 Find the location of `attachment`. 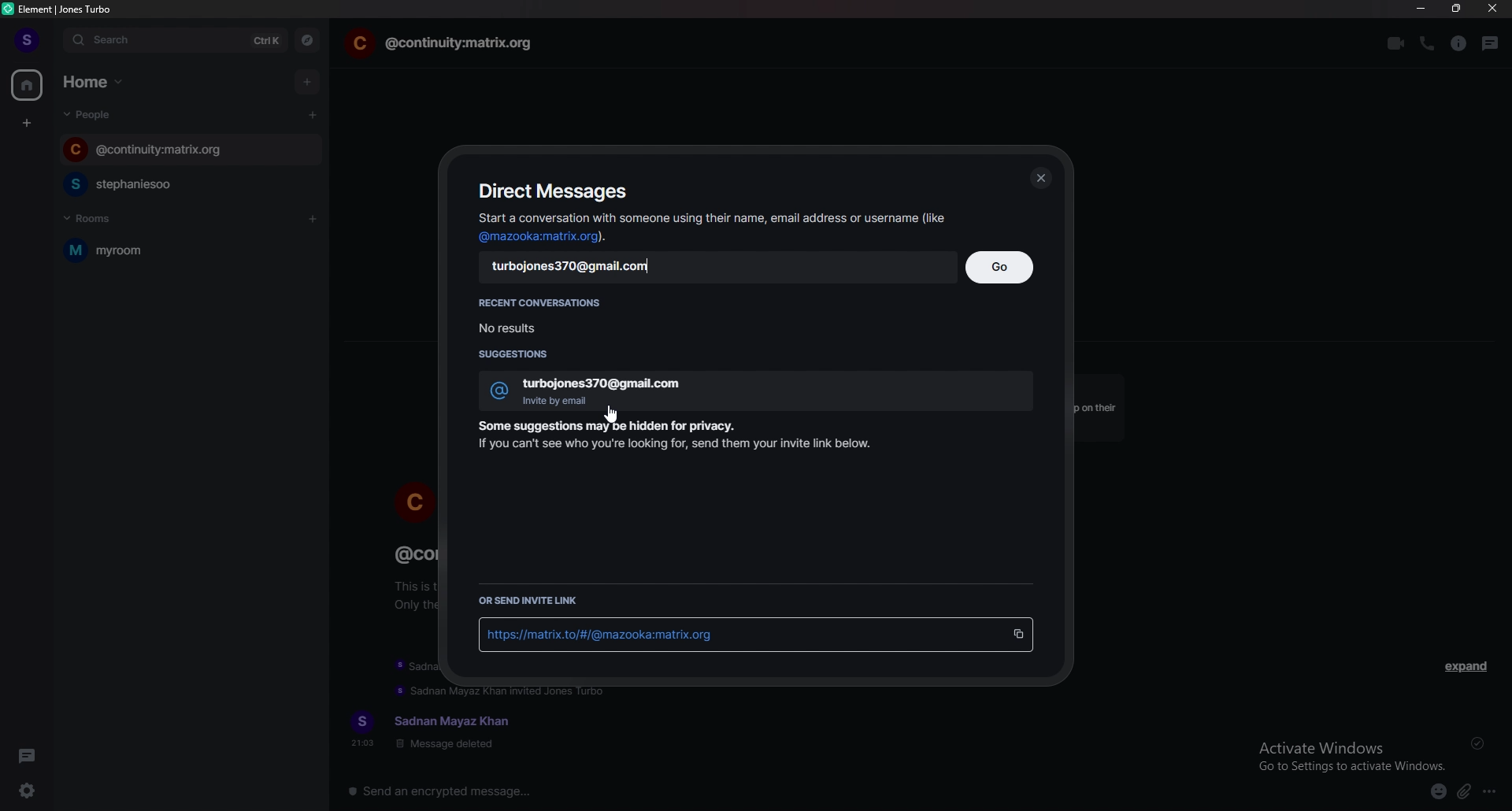

attachment is located at coordinates (1464, 792).